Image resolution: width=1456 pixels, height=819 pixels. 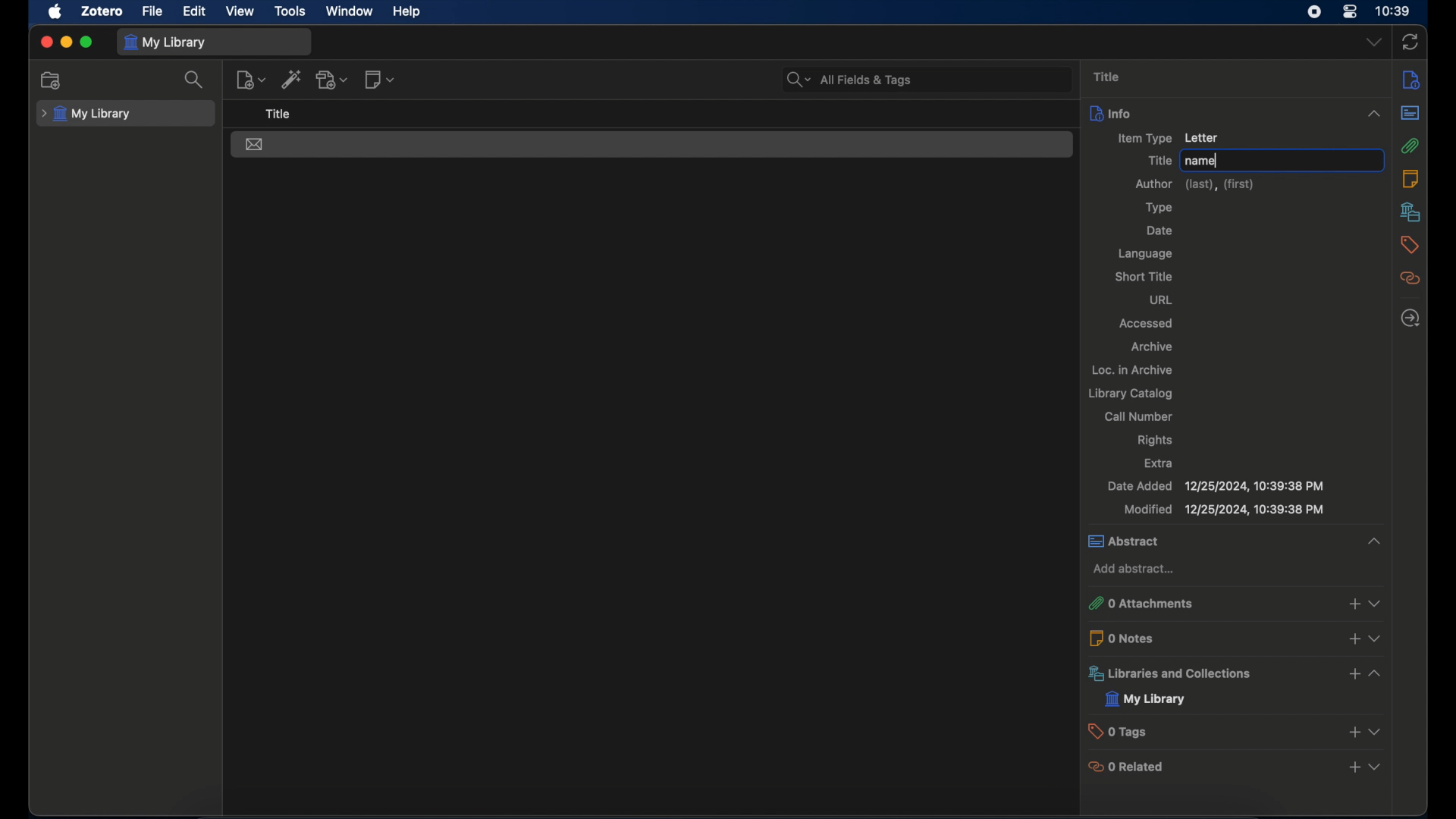 What do you see at coordinates (196, 80) in the screenshot?
I see `search` at bounding box center [196, 80].